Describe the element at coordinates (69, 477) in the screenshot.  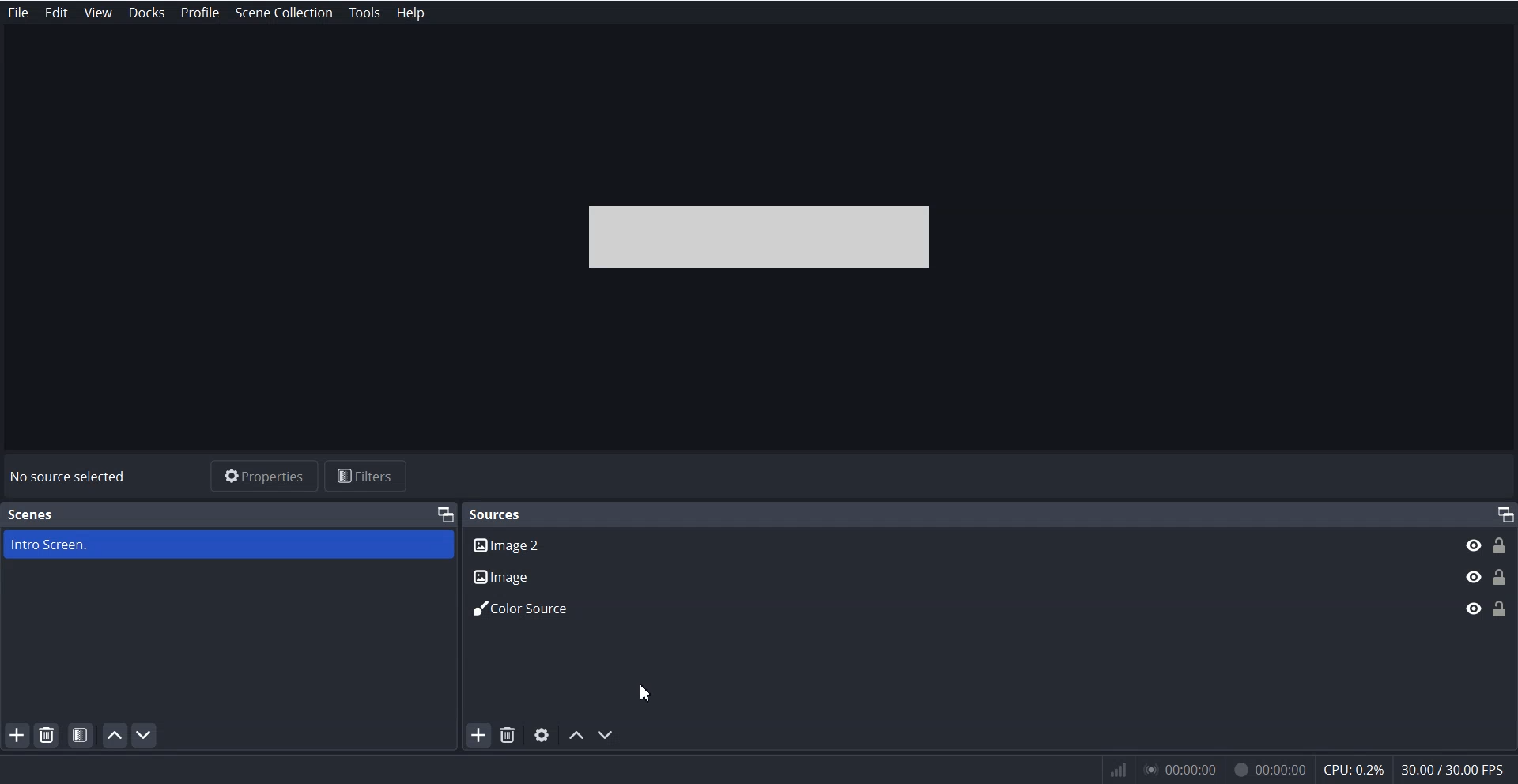
I see `No source selected` at that location.